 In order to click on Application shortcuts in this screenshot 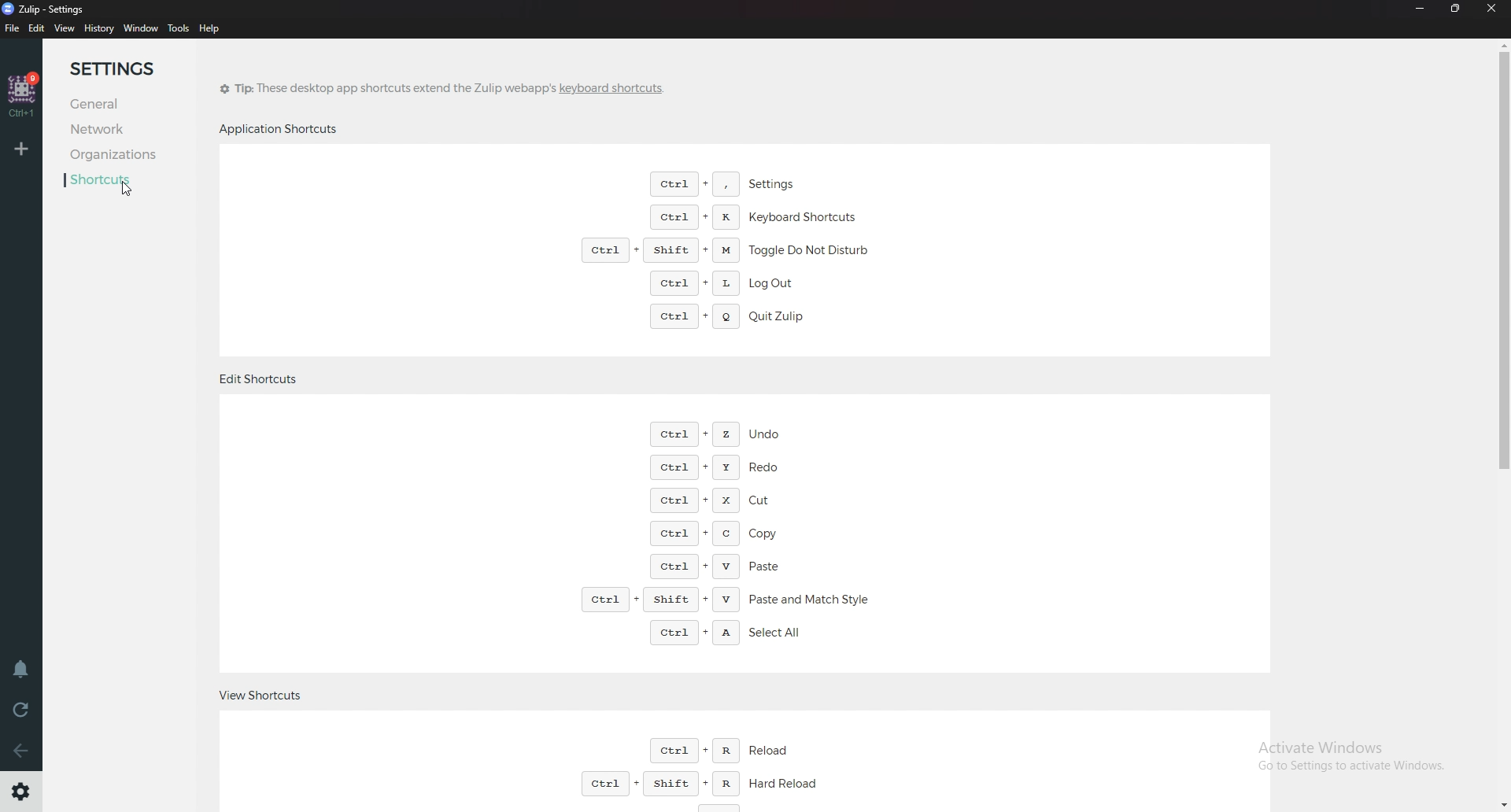, I will do `click(282, 129)`.